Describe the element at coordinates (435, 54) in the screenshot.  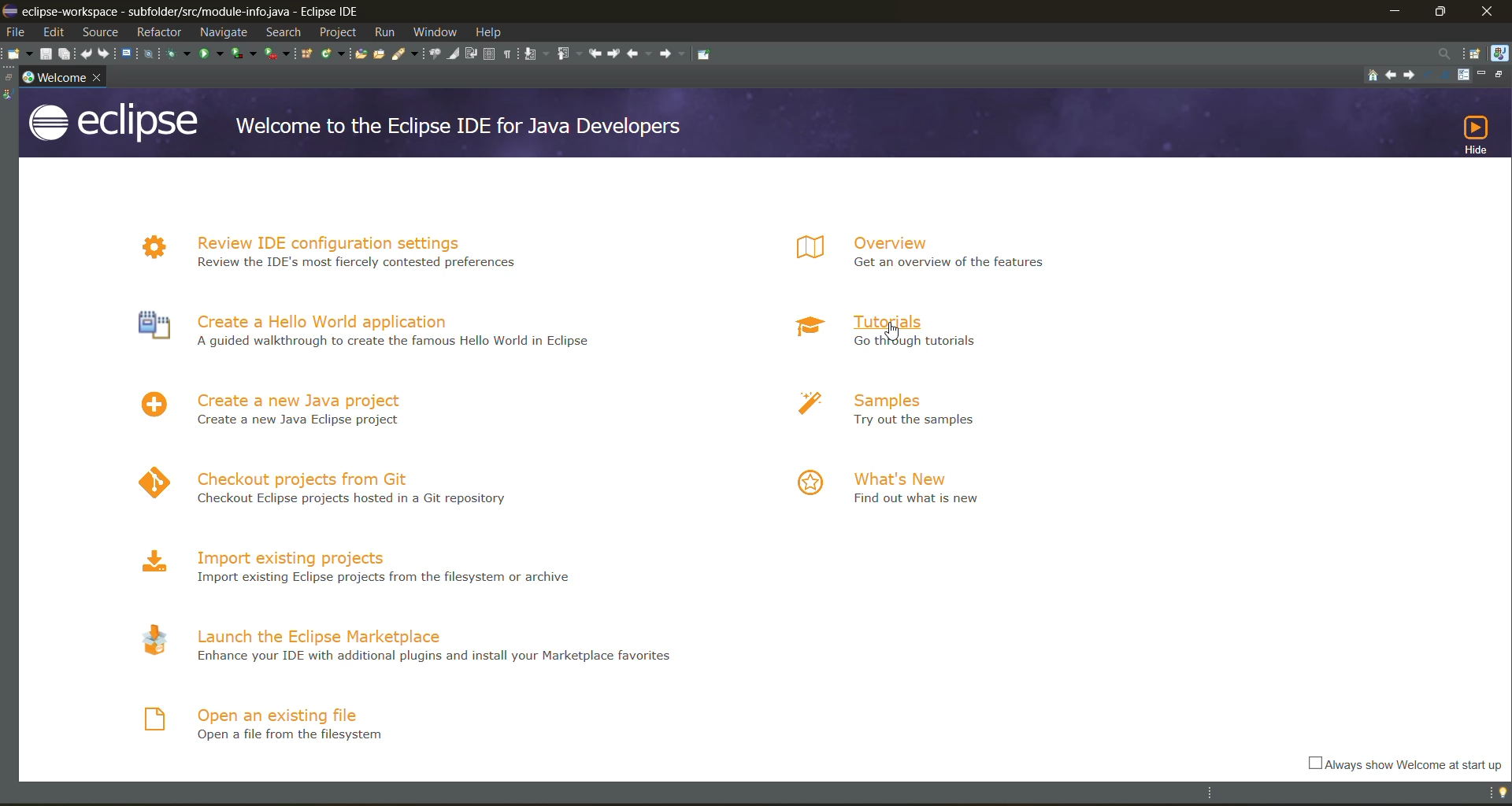
I see `toggle java editor breadcrumb` at that location.